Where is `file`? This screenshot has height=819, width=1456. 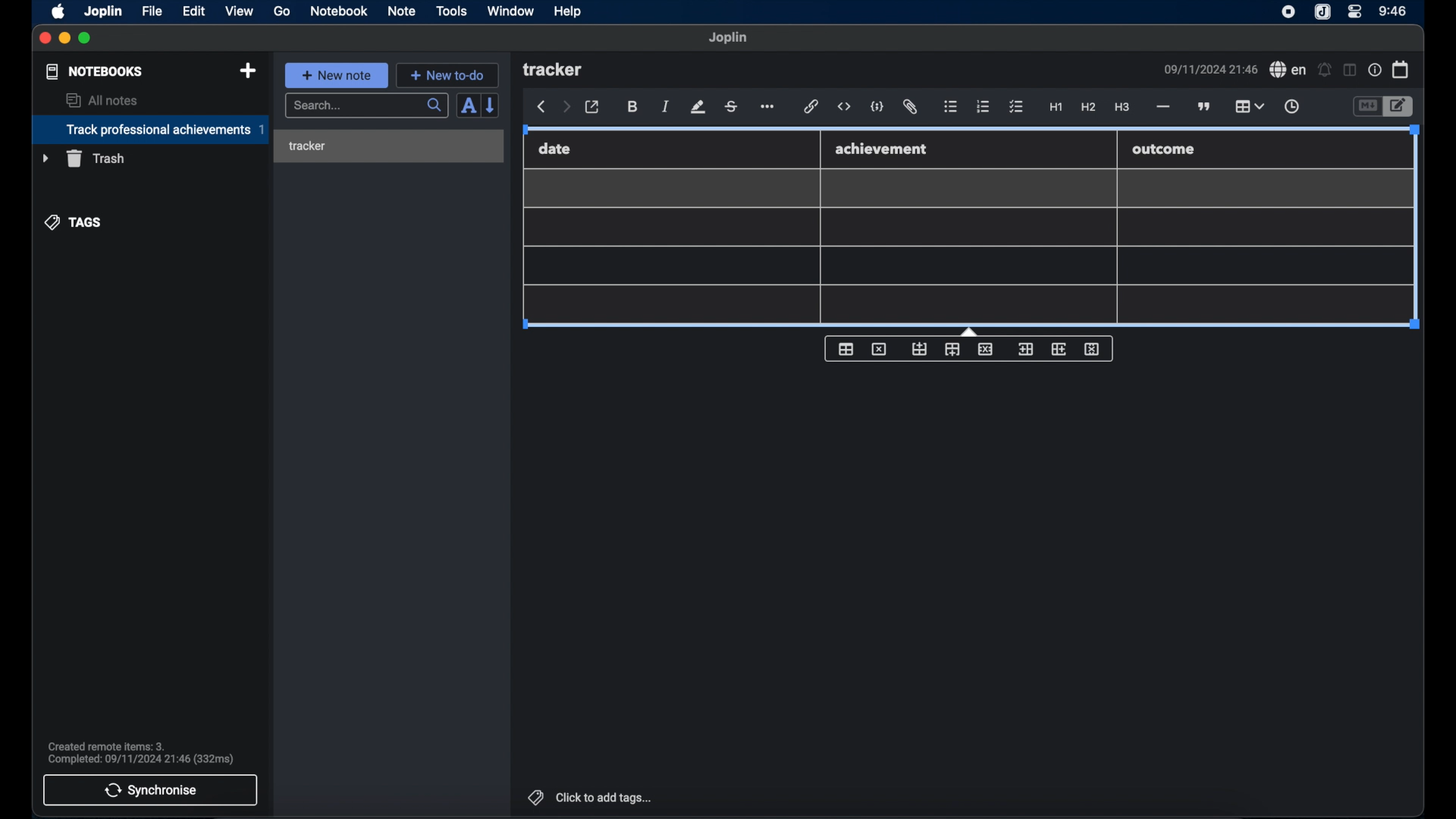
file is located at coordinates (152, 11).